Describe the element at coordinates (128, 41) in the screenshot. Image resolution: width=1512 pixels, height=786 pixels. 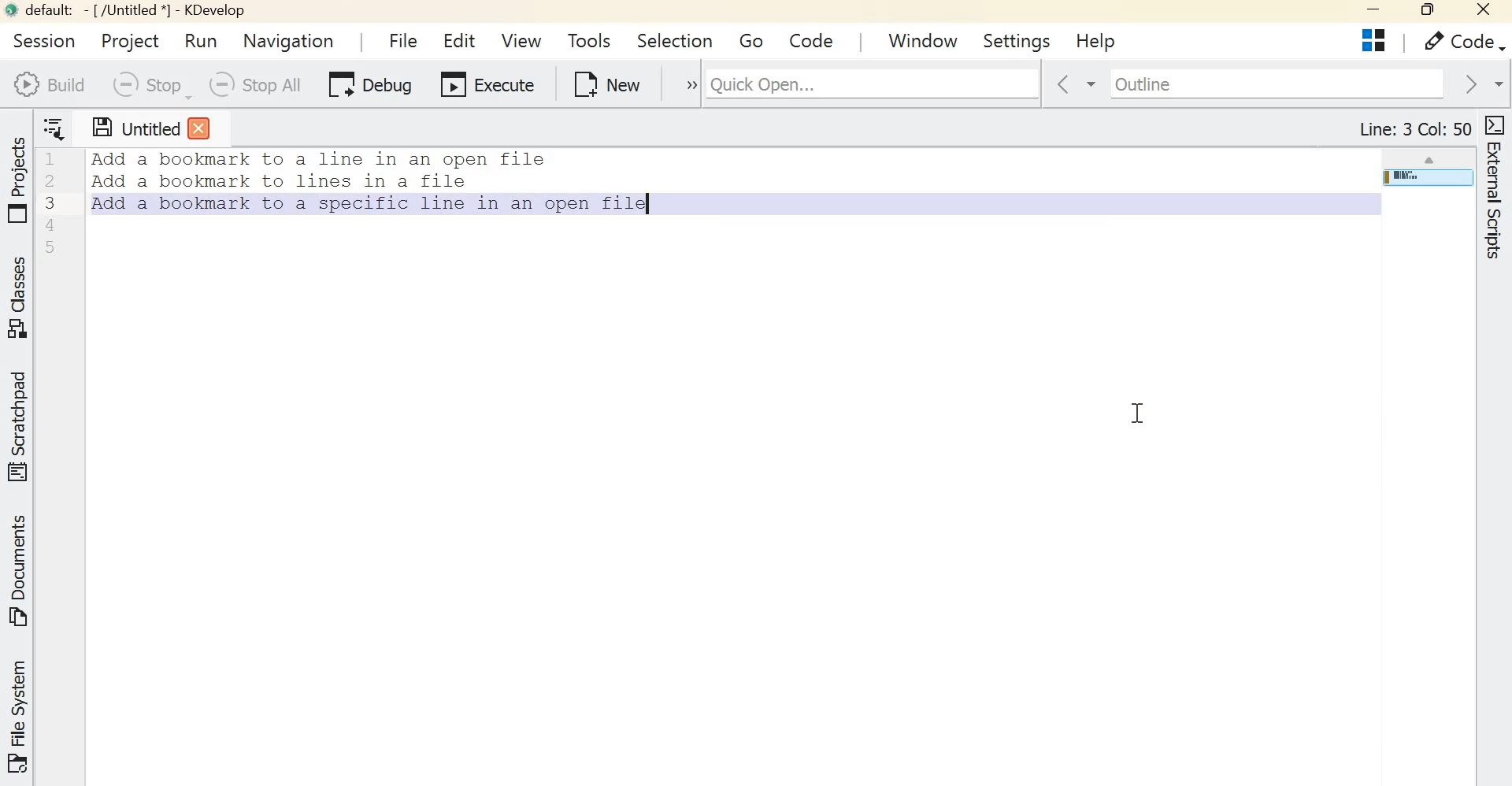
I see `Project` at that location.